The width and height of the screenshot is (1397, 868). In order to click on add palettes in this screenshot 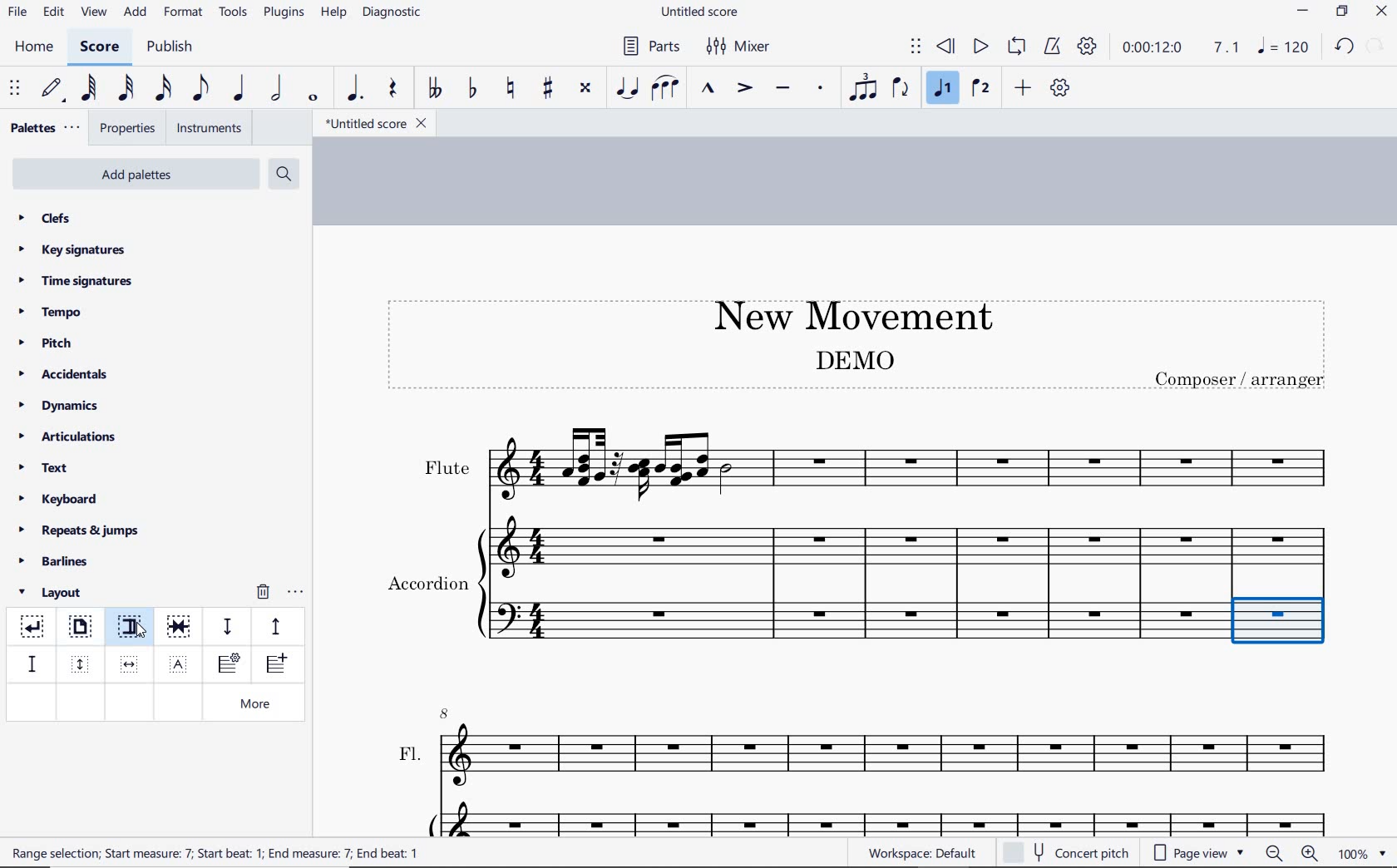, I will do `click(138, 177)`.